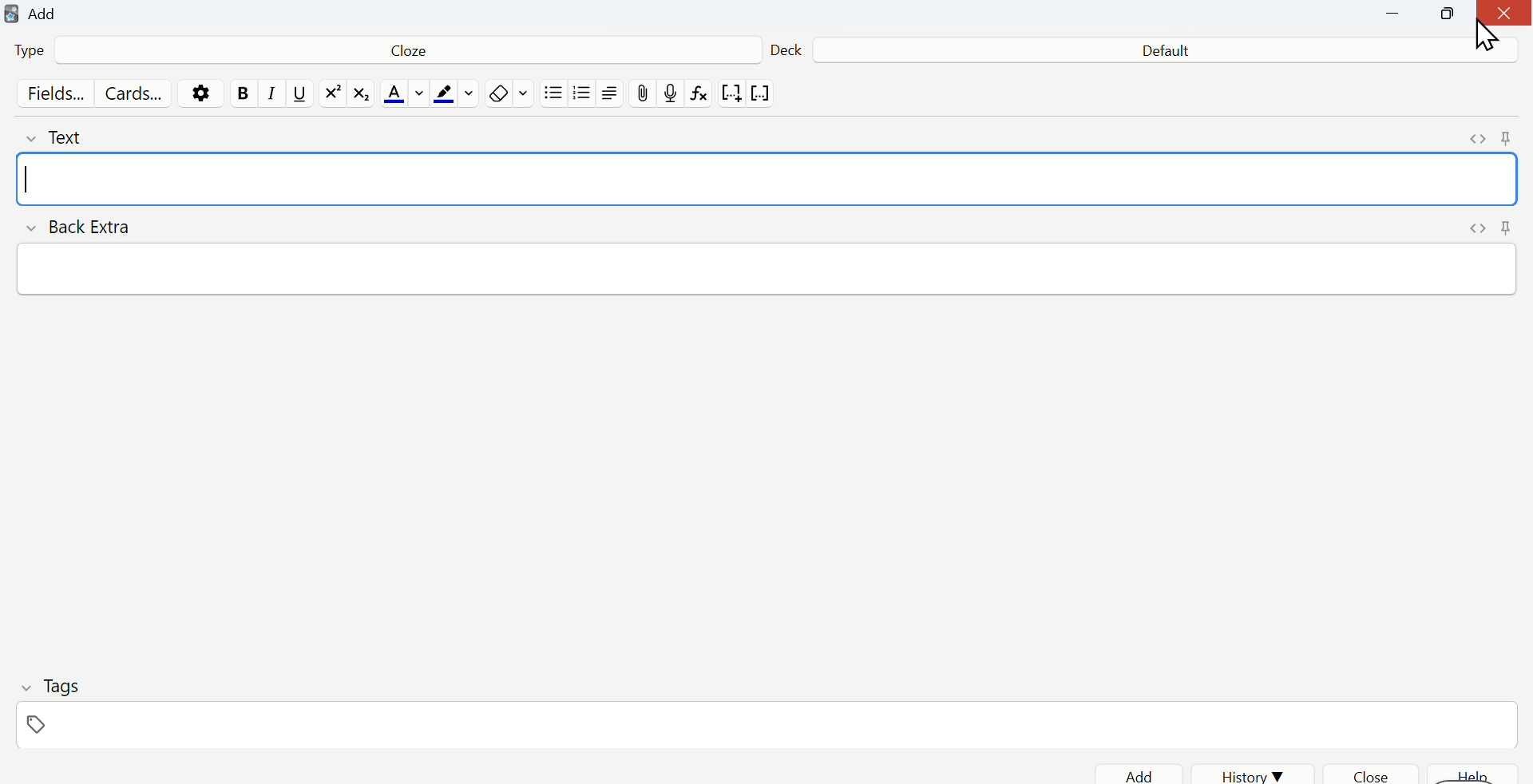 This screenshot has height=784, width=1533. I want to click on exponential, so click(332, 94).